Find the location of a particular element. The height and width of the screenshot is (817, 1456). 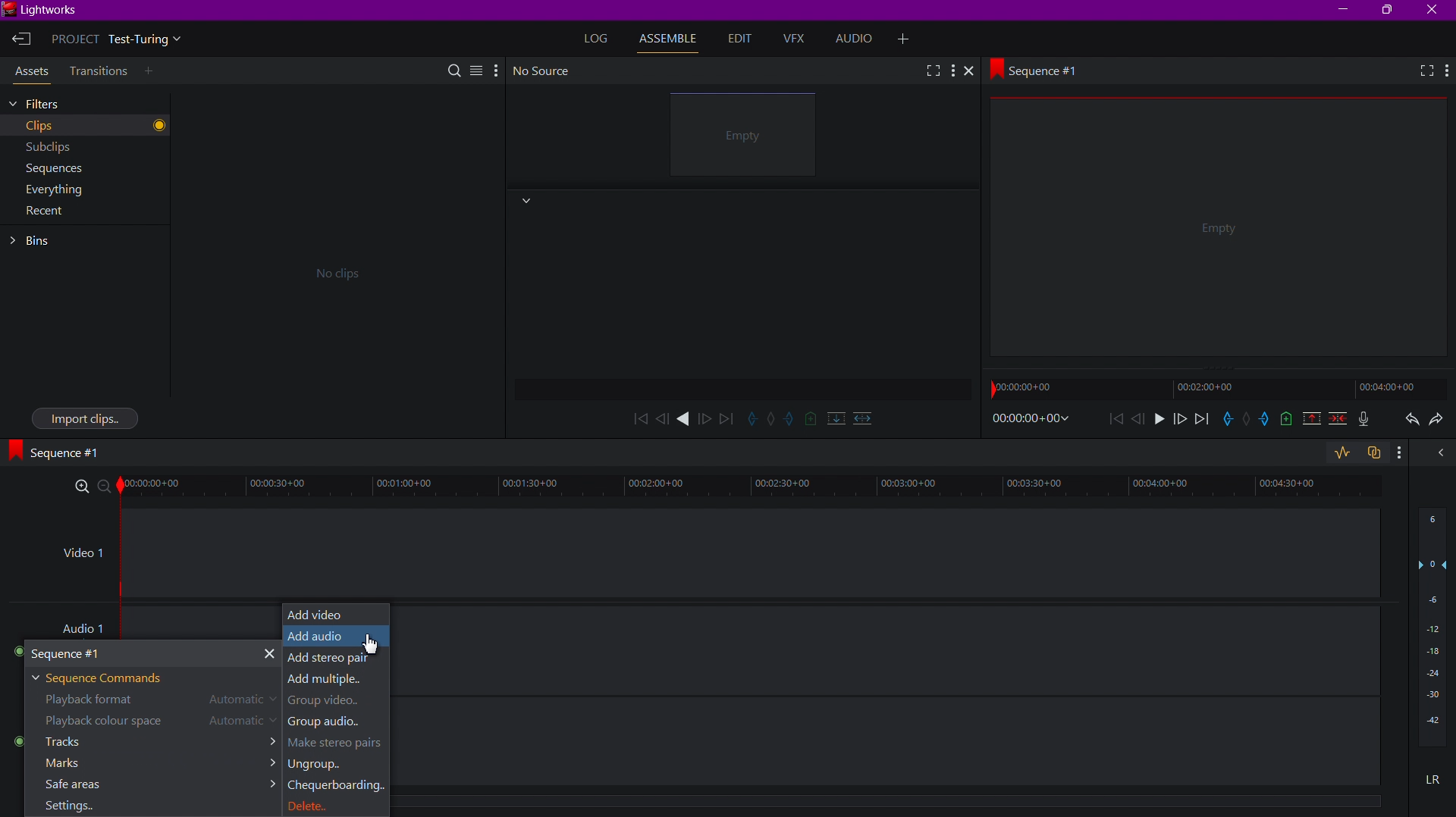

Zoom Out is located at coordinates (108, 488).